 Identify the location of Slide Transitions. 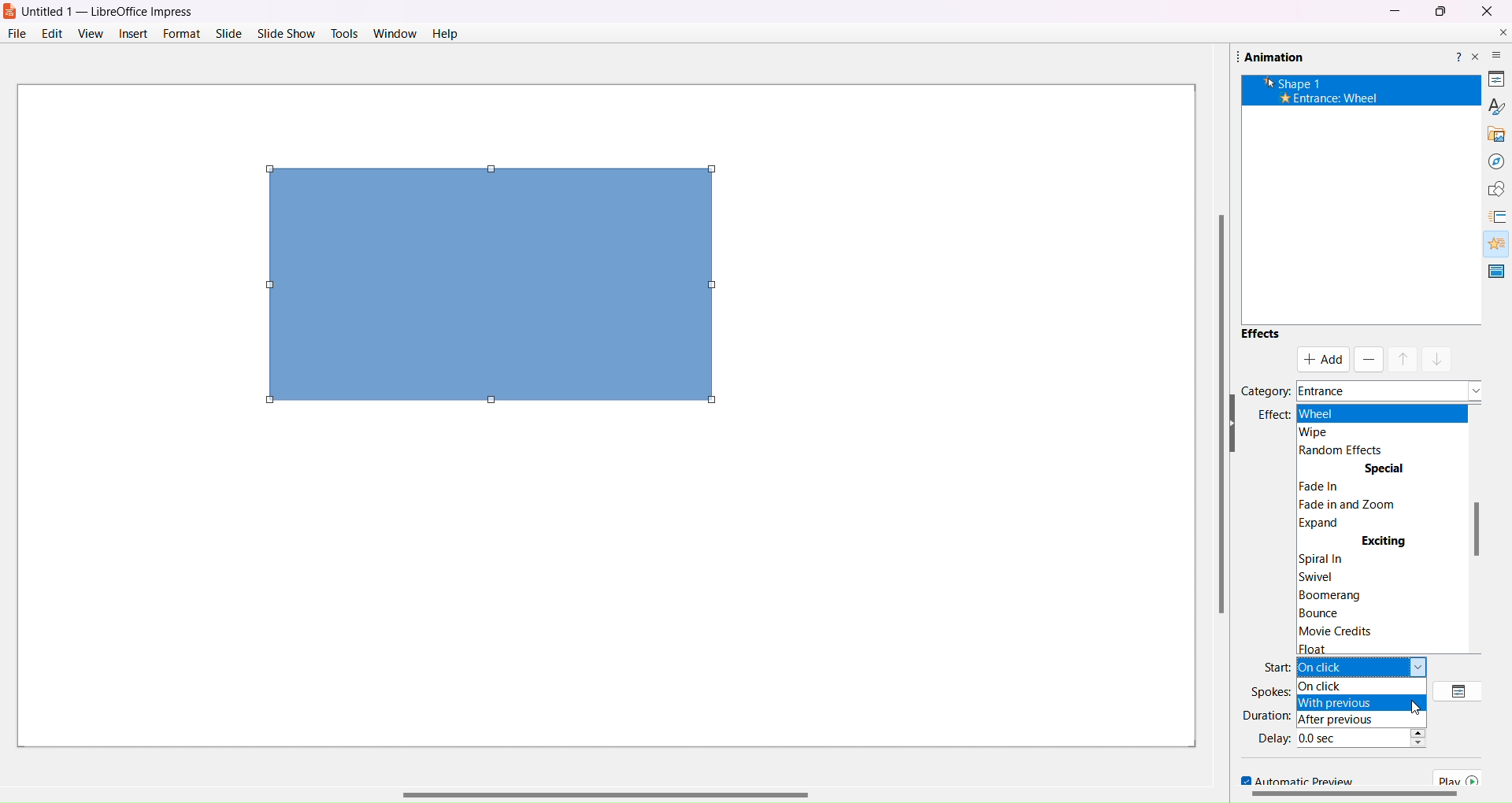
(1495, 217).